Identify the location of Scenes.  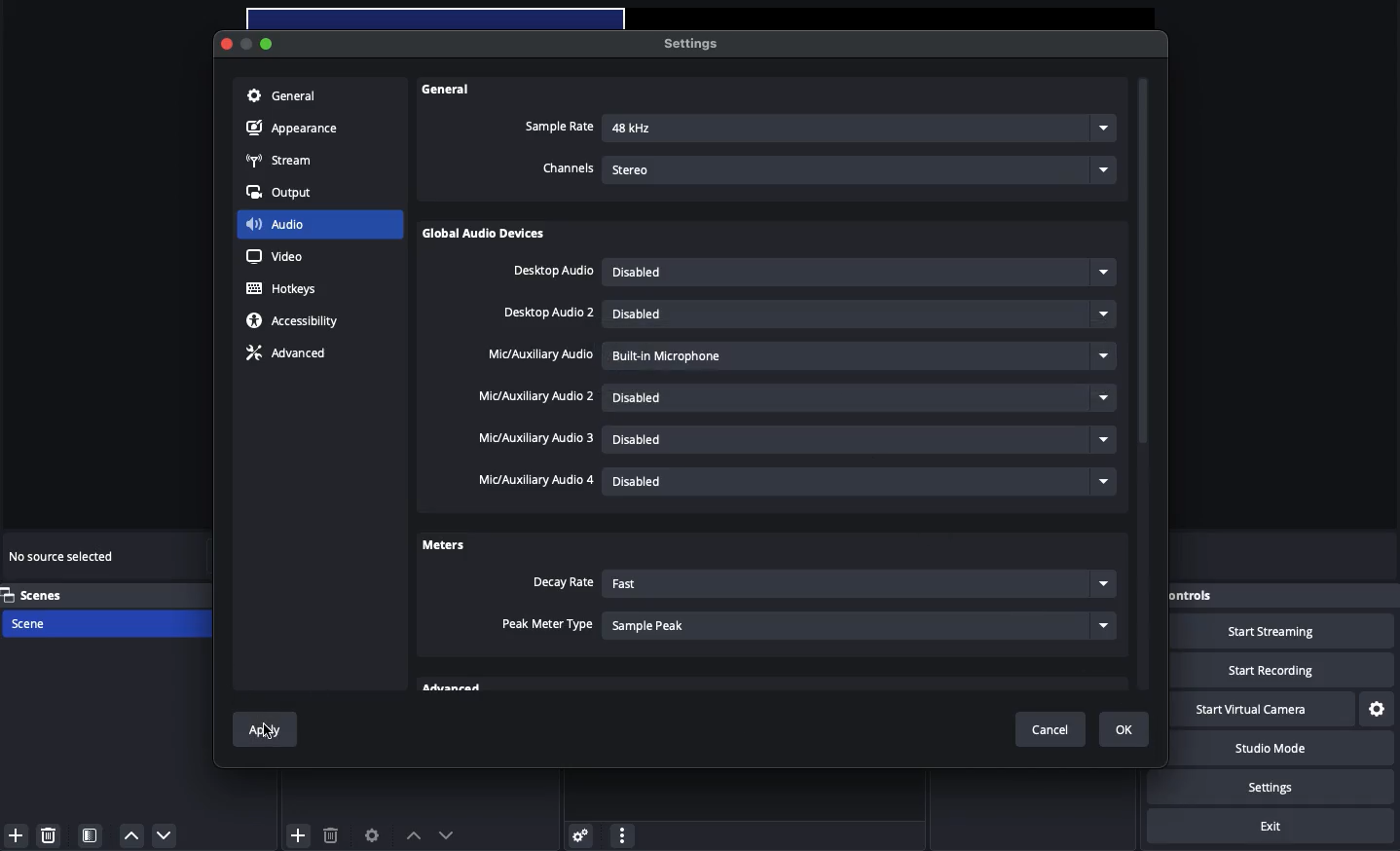
(46, 595).